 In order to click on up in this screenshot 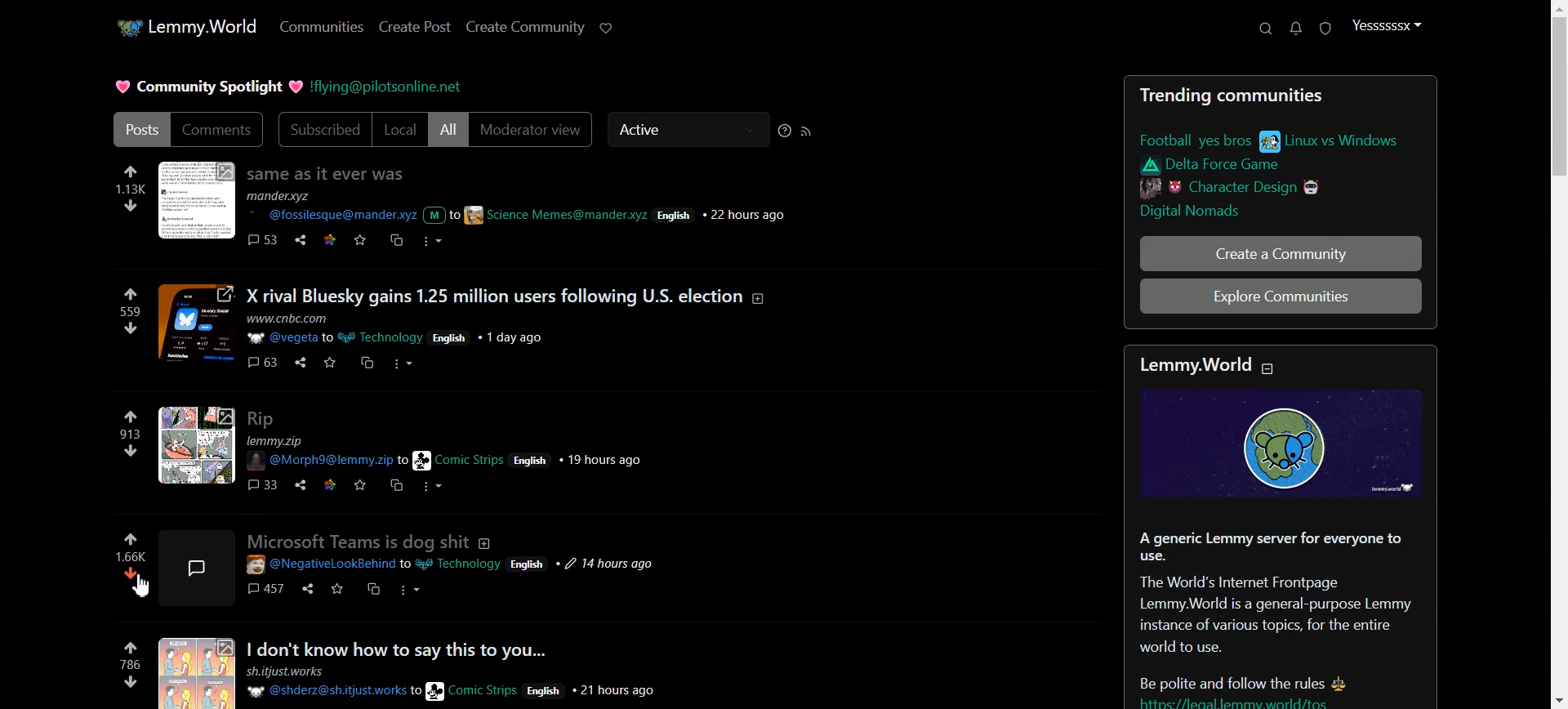, I will do `click(130, 172)`.